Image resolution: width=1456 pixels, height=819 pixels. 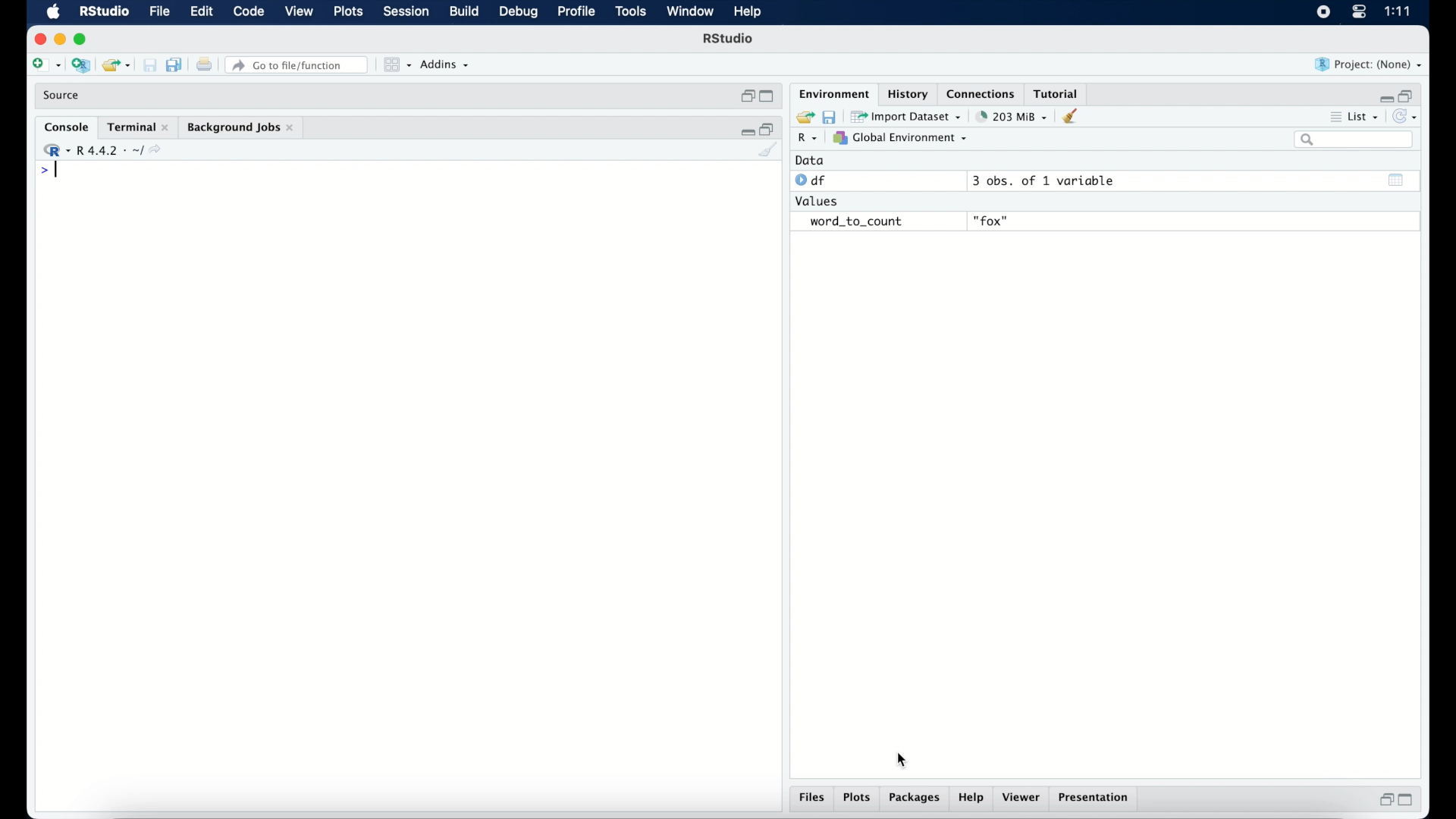 I want to click on df, so click(x=813, y=180).